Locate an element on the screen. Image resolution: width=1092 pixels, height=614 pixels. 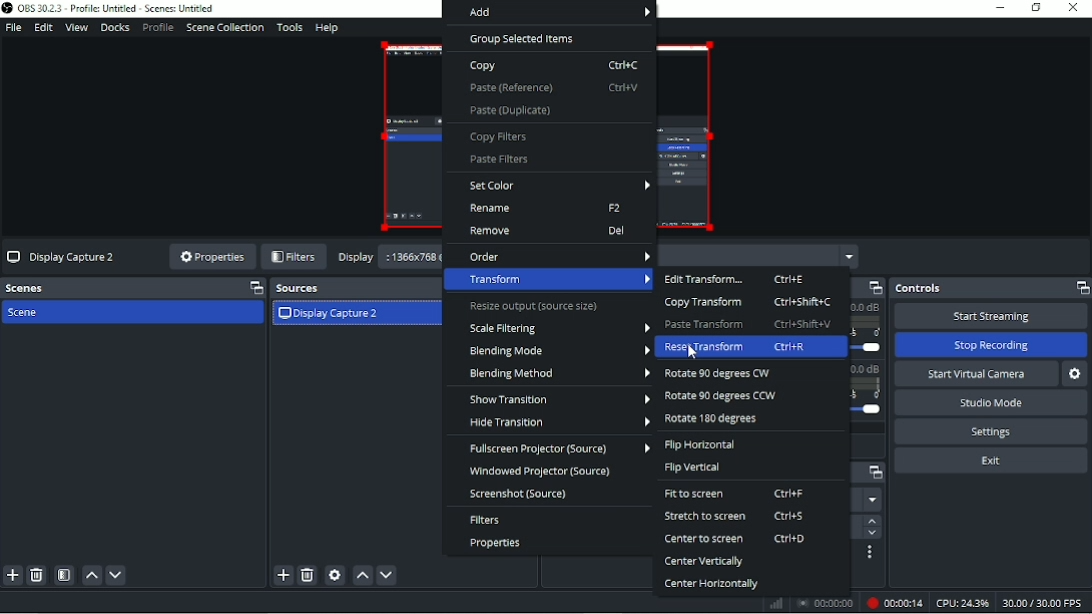
Stop recording is located at coordinates (990, 345).